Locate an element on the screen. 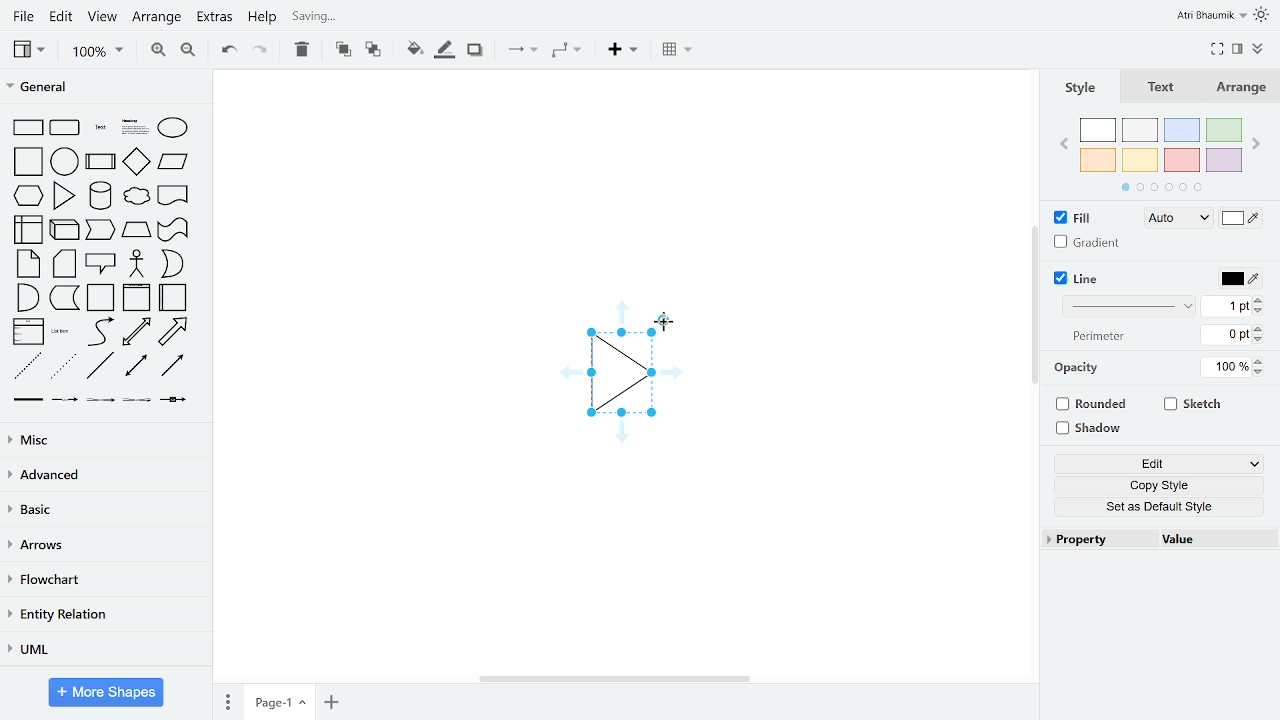 The width and height of the screenshot is (1280, 720). file is located at coordinates (22, 16).